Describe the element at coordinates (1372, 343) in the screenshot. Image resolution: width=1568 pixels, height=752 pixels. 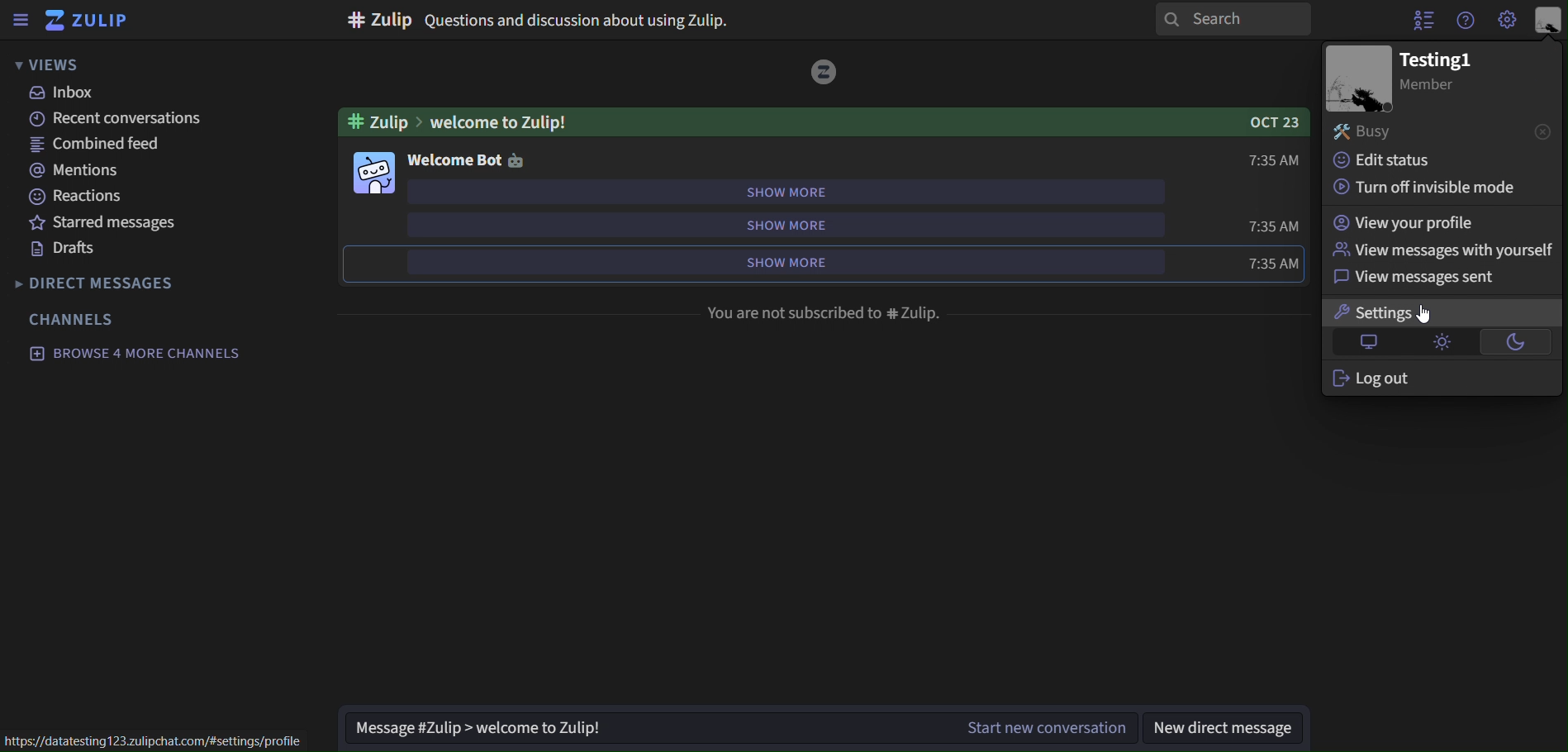
I see `default theme` at that location.